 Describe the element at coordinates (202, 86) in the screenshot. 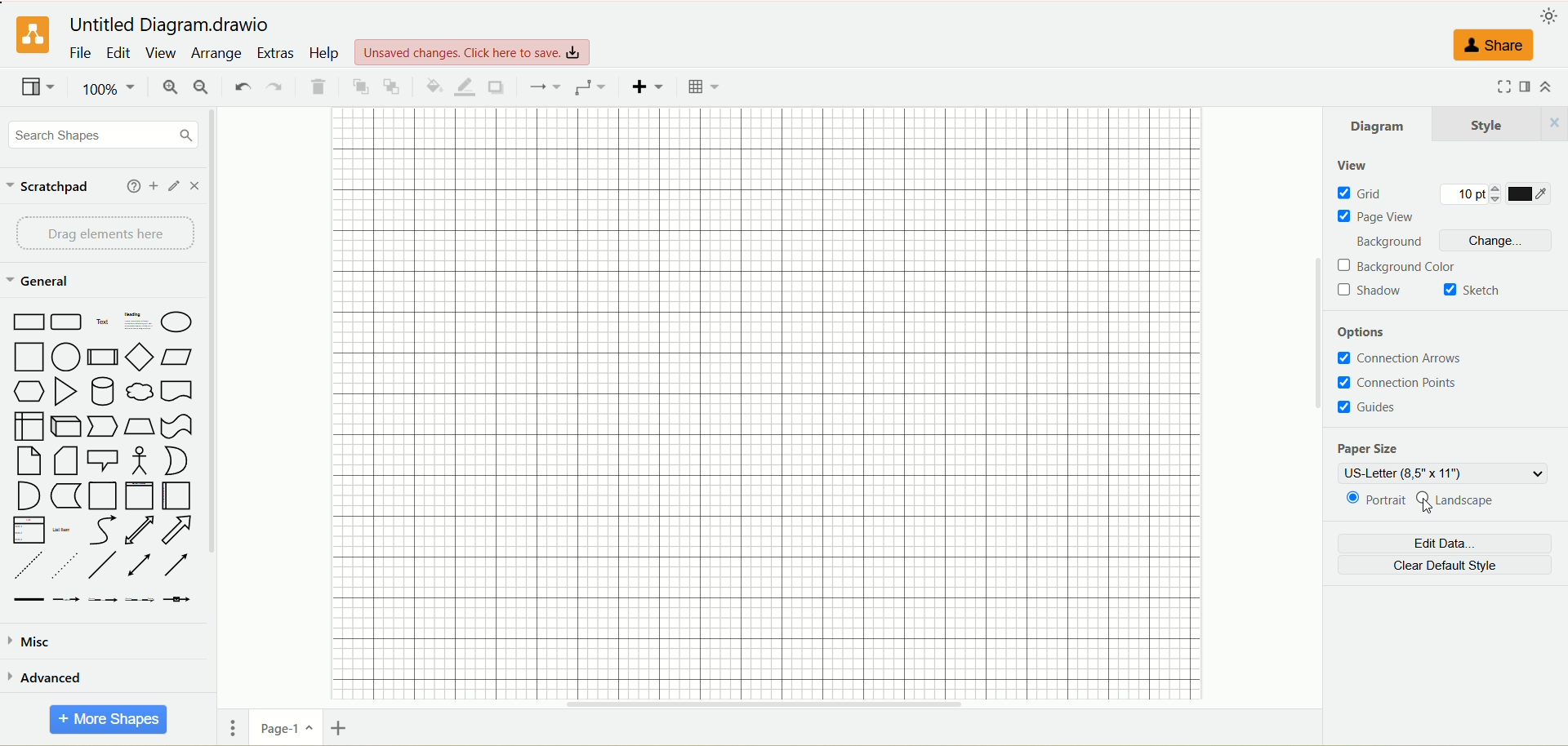

I see `zoom out` at that location.